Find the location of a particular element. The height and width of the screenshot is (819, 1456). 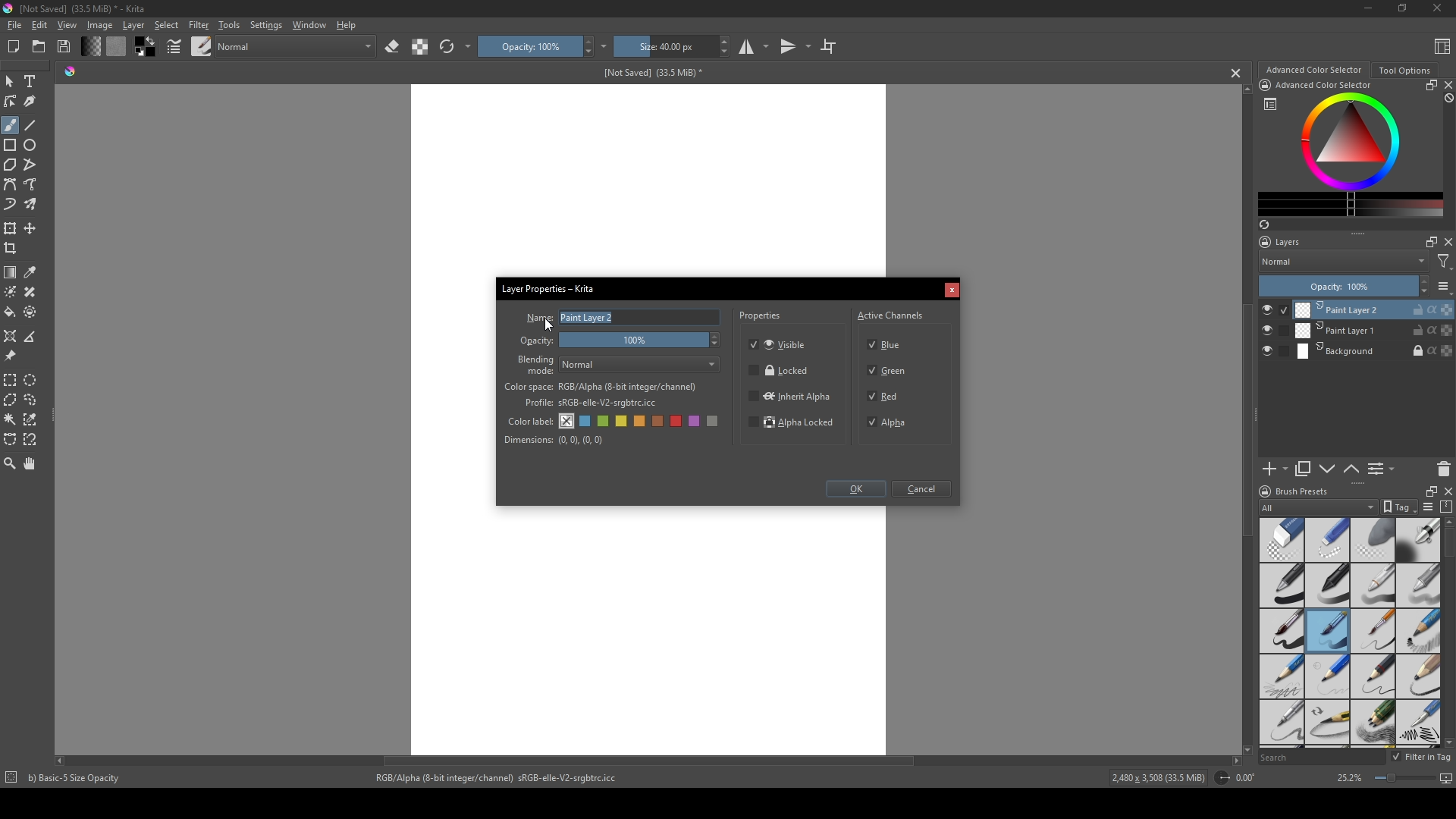

red is located at coordinates (678, 421).